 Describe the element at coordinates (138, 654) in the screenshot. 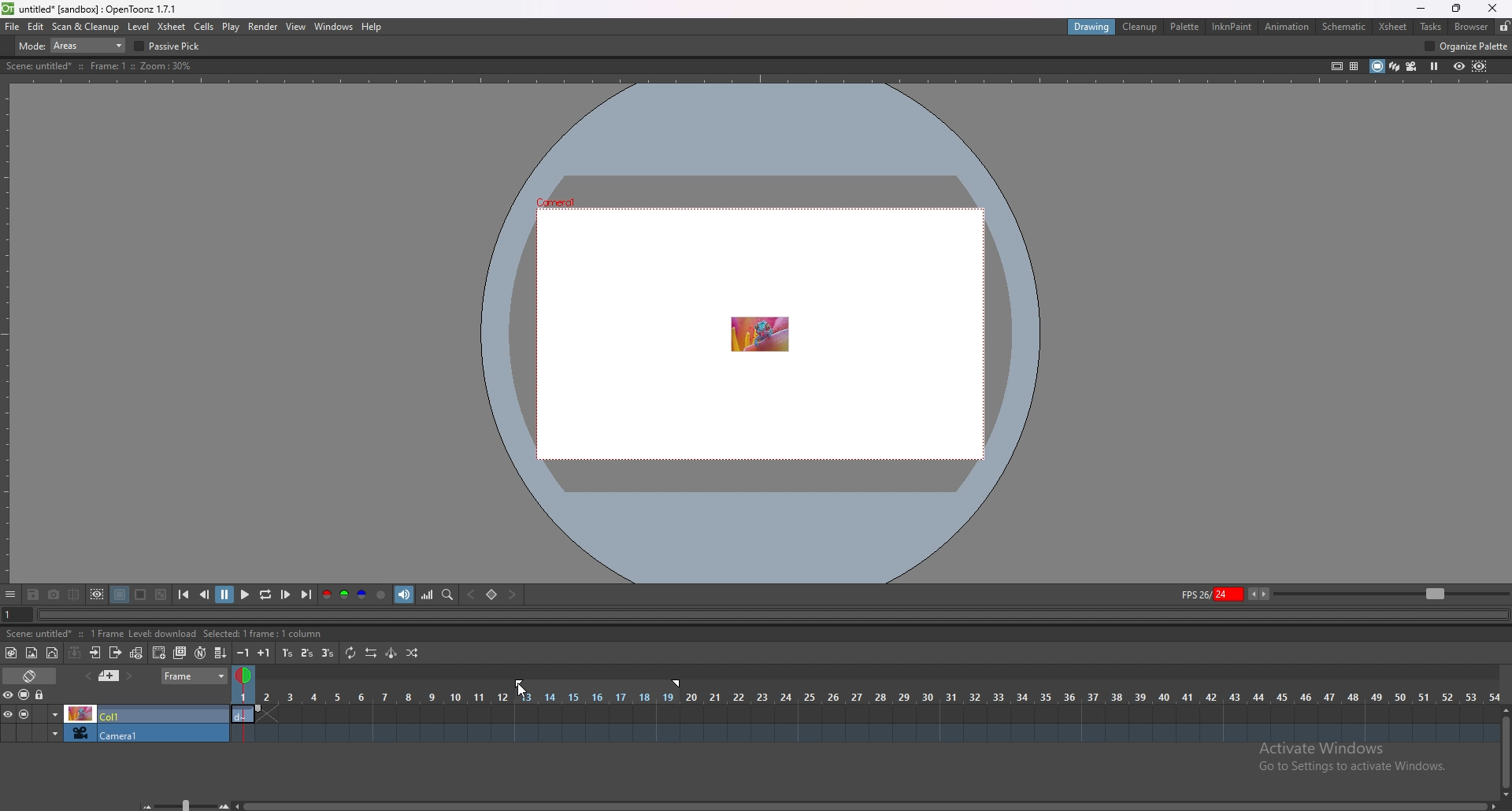

I see `toggle edit in place` at that location.